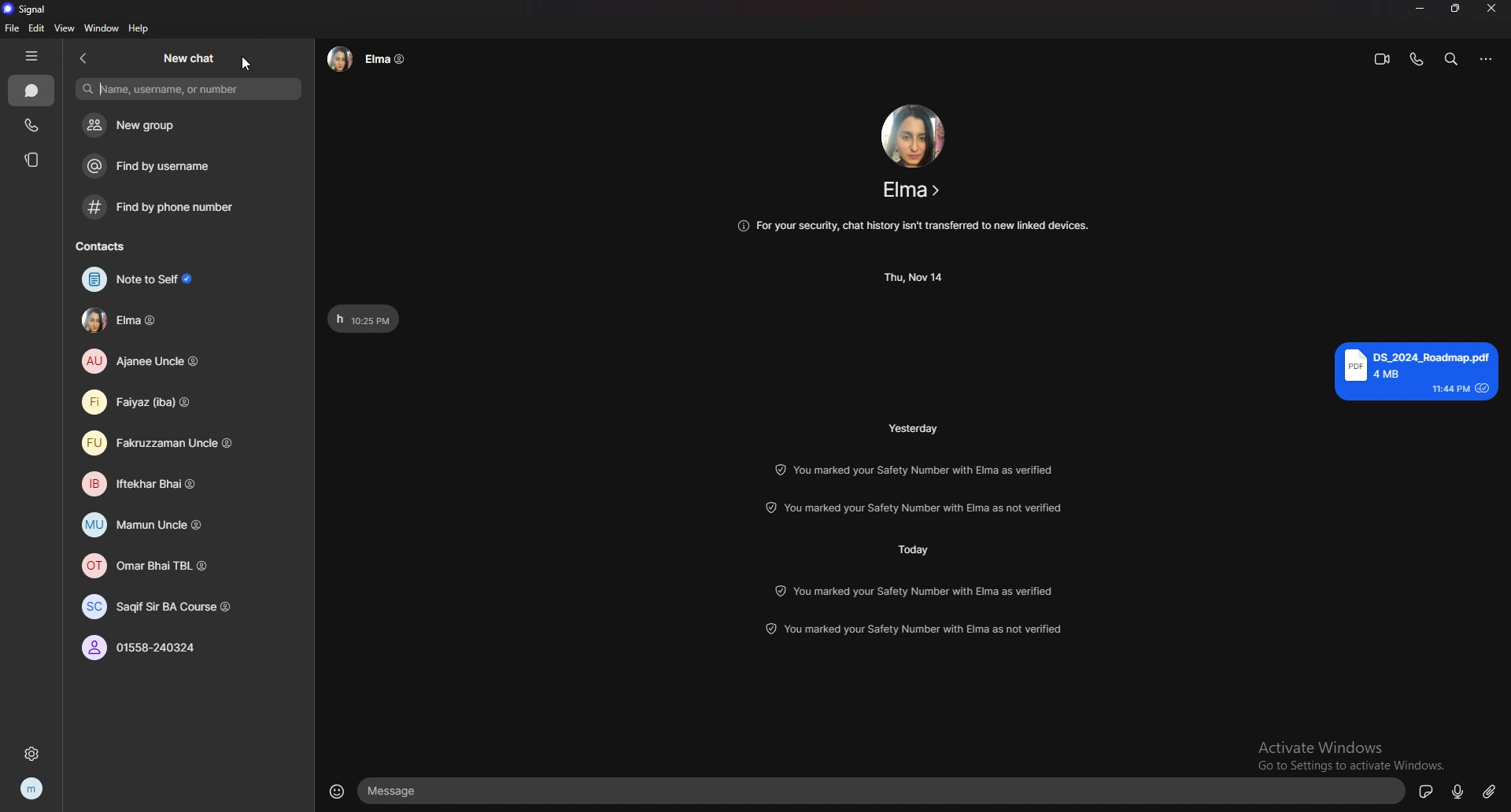 Image resolution: width=1511 pixels, height=812 pixels. What do you see at coordinates (65, 29) in the screenshot?
I see `view` at bounding box center [65, 29].